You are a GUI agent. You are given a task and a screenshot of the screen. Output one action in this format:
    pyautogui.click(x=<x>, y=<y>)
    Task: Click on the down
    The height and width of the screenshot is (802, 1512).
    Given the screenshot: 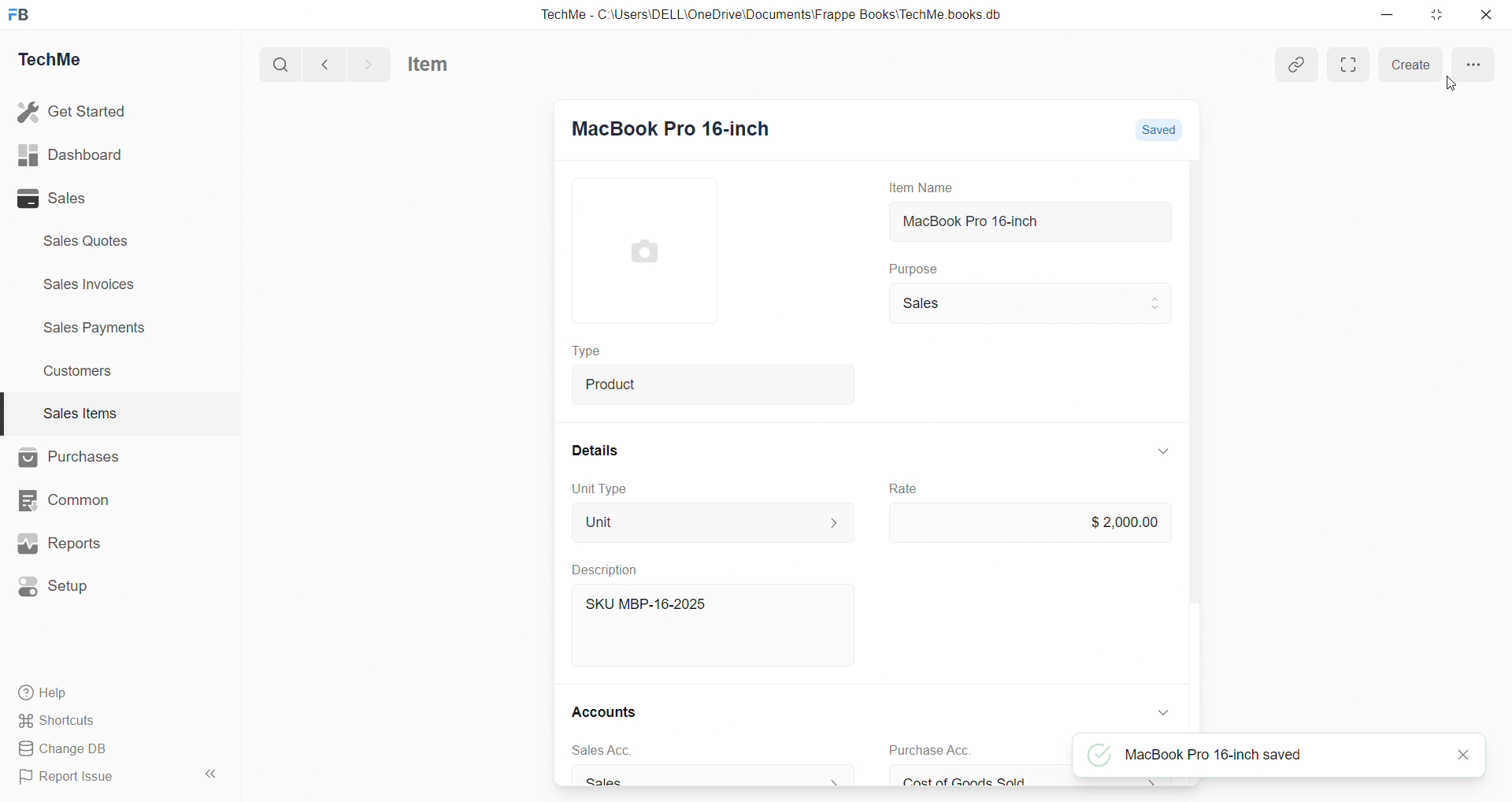 What is the action you would take?
    pyautogui.click(x=1165, y=713)
    